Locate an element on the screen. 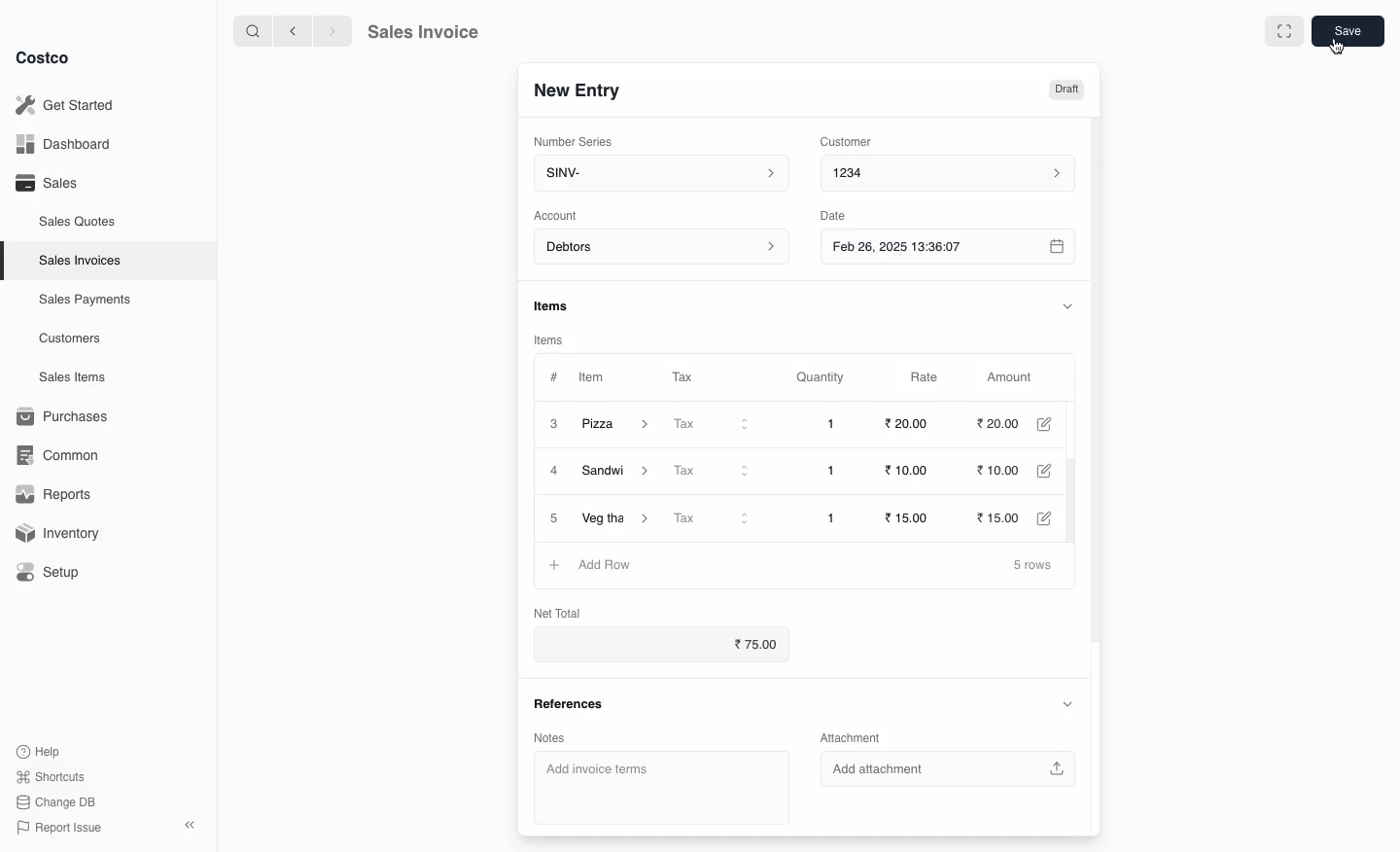 The height and width of the screenshot is (852, 1400). Notes is located at coordinates (548, 736).